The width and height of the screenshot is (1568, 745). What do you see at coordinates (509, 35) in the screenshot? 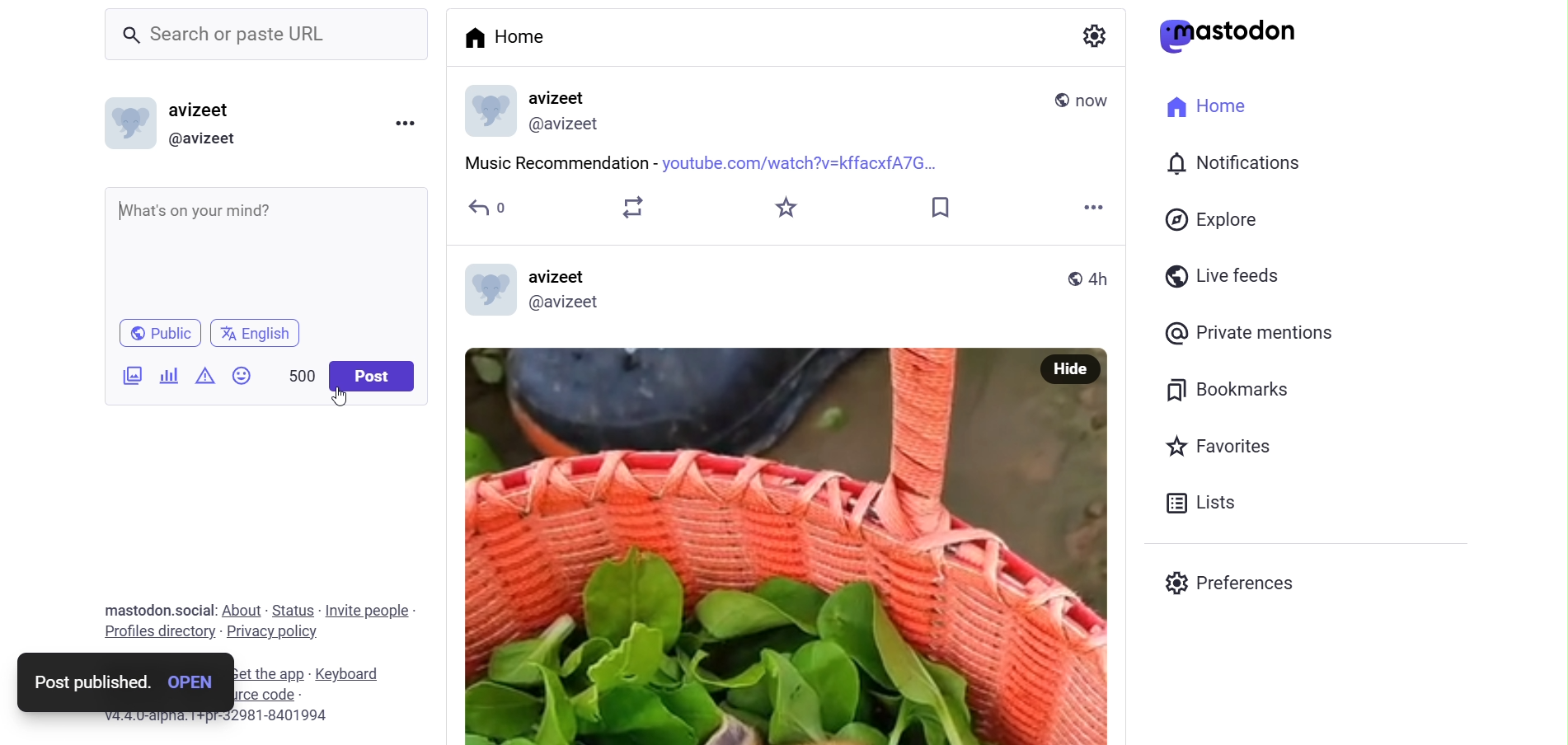
I see `Home` at bounding box center [509, 35].